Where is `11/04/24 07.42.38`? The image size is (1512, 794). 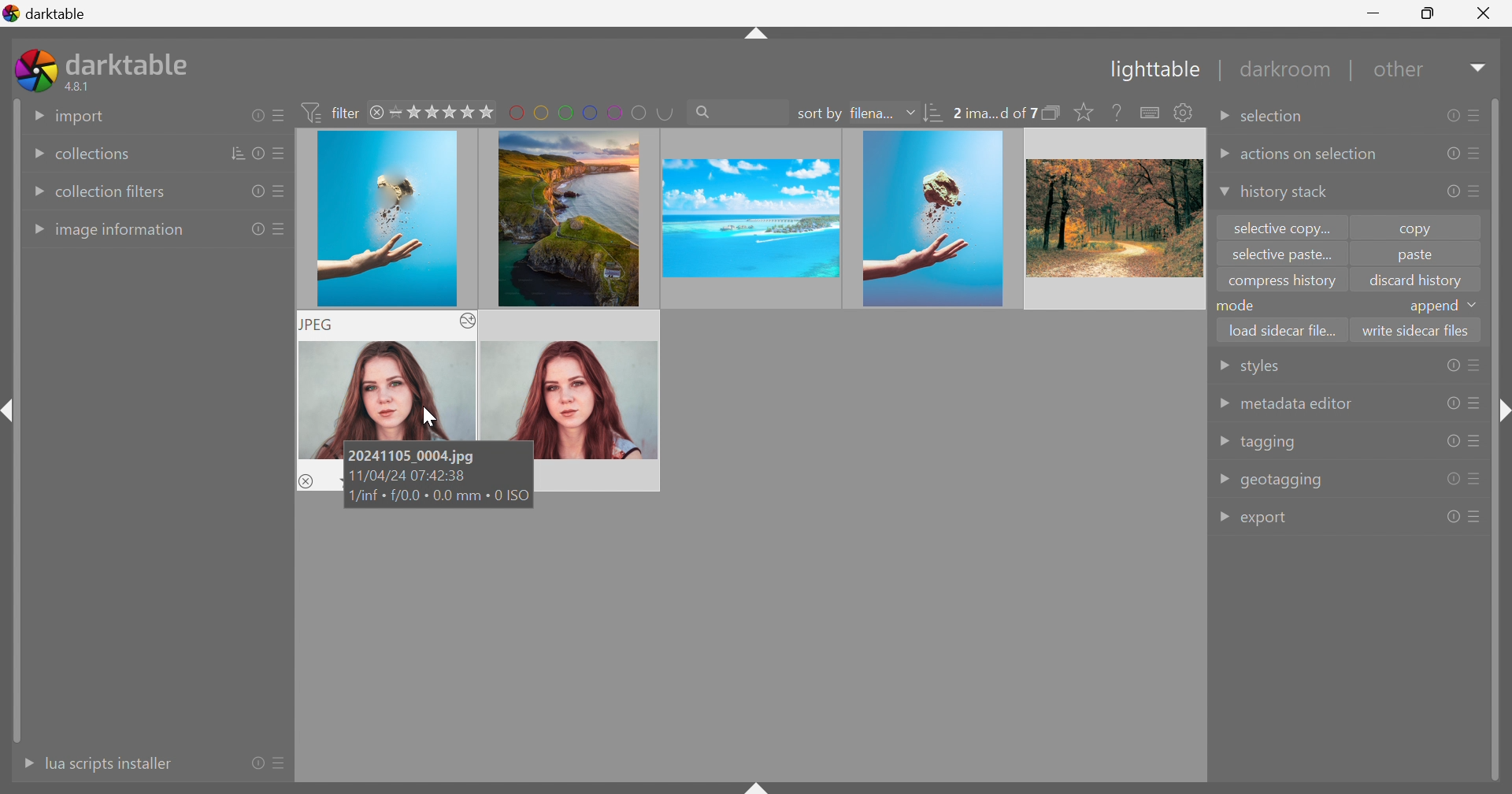
11/04/24 07.42.38 is located at coordinates (409, 477).